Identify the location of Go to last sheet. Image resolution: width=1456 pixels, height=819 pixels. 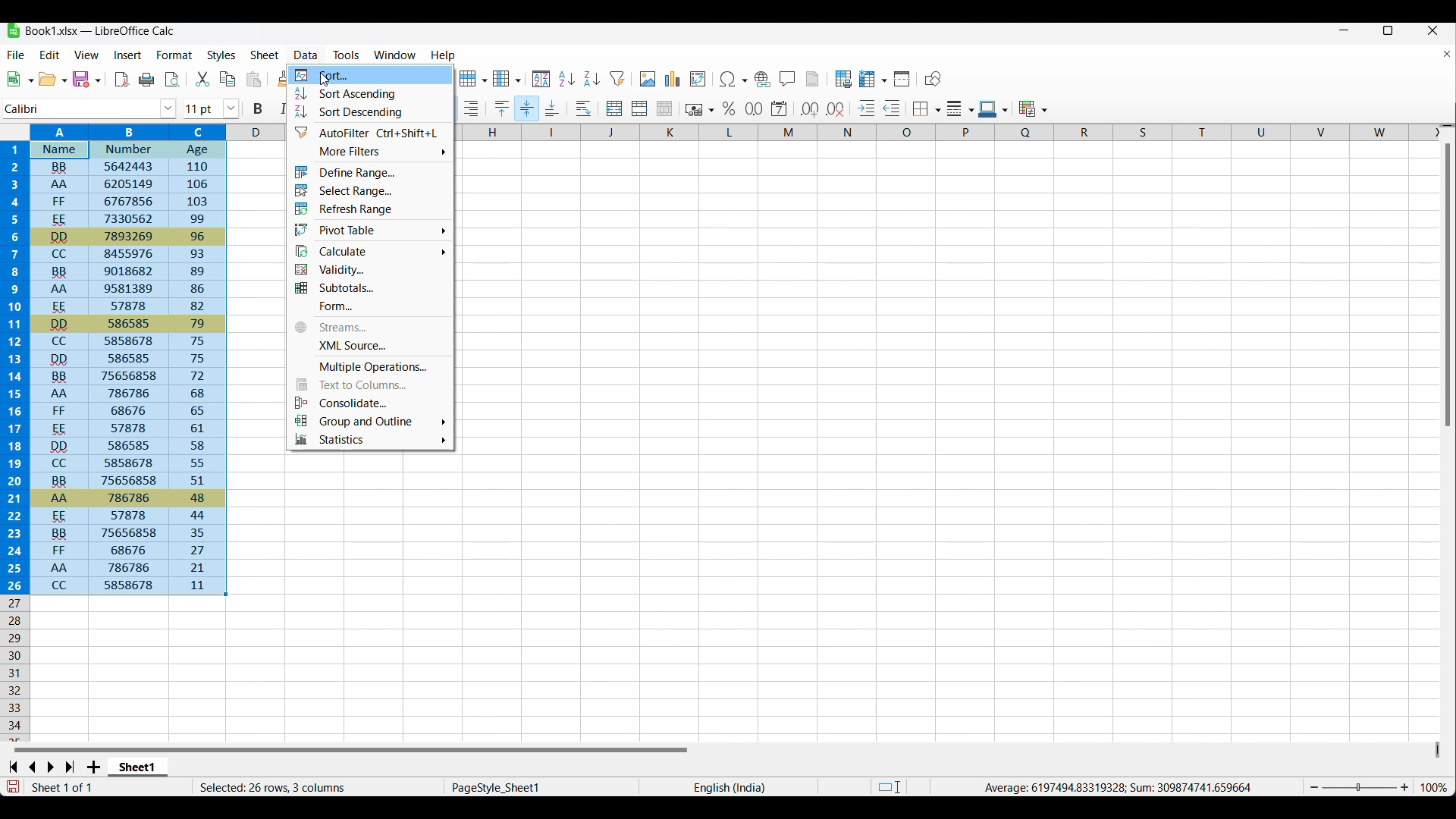
(70, 767).